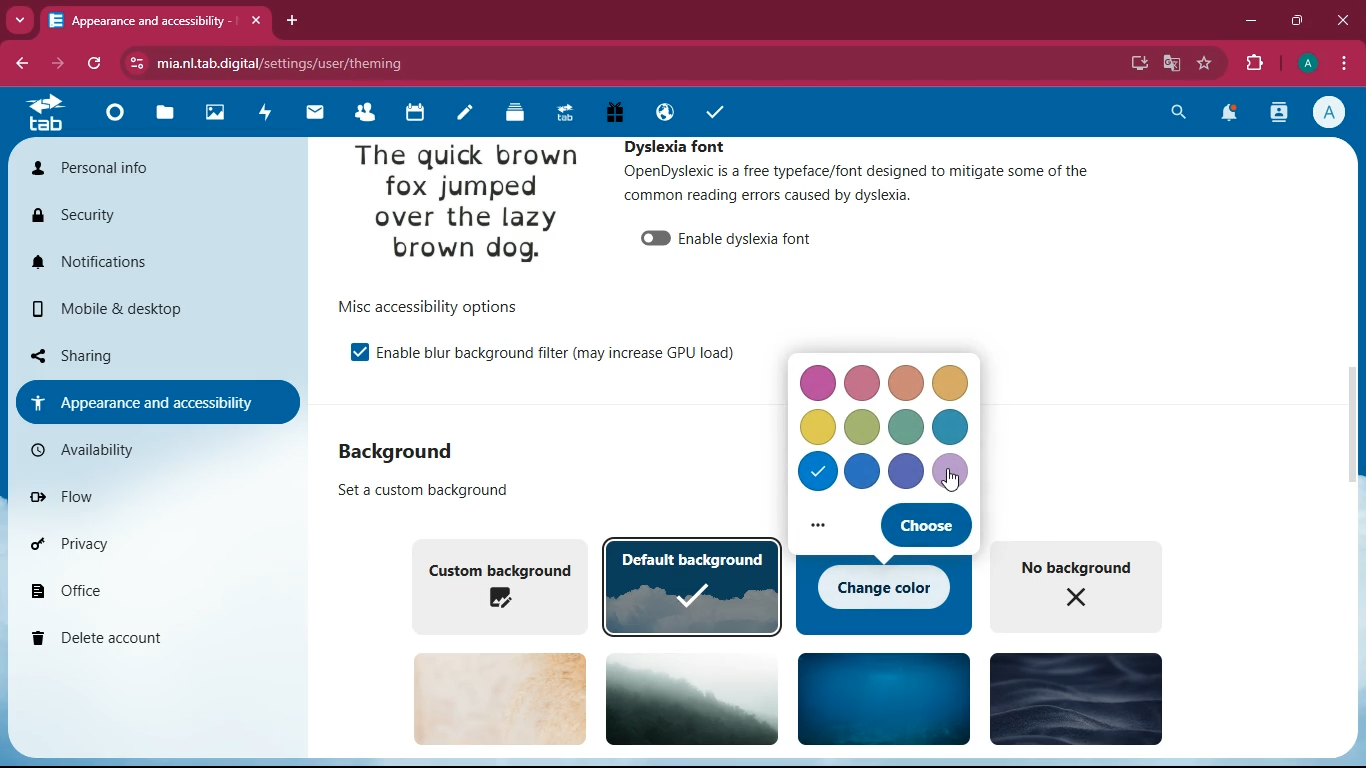 The width and height of the screenshot is (1366, 768). What do you see at coordinates (681, 146) in the screenshot?
I see `dyslexia font` at bounding box center [681, 146].